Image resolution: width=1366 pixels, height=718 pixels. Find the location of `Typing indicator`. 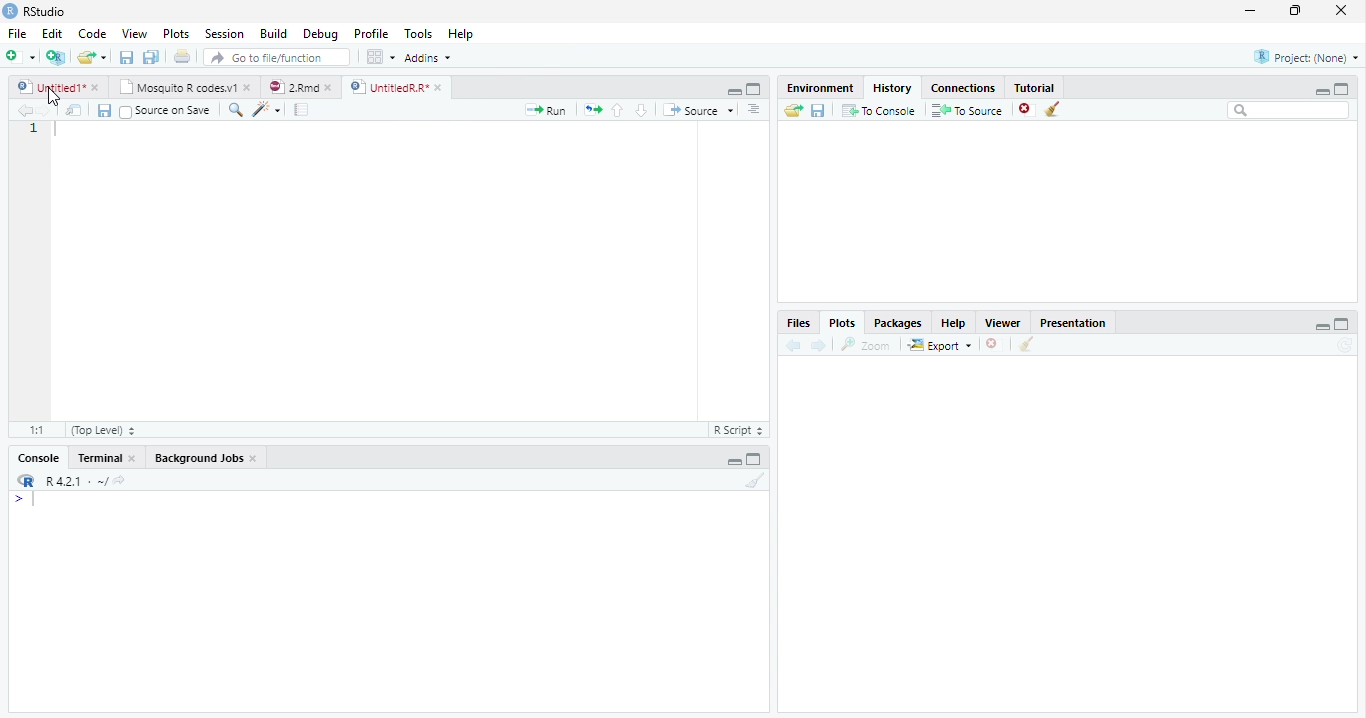

Typing indicator is located at coordinates (28, 502).